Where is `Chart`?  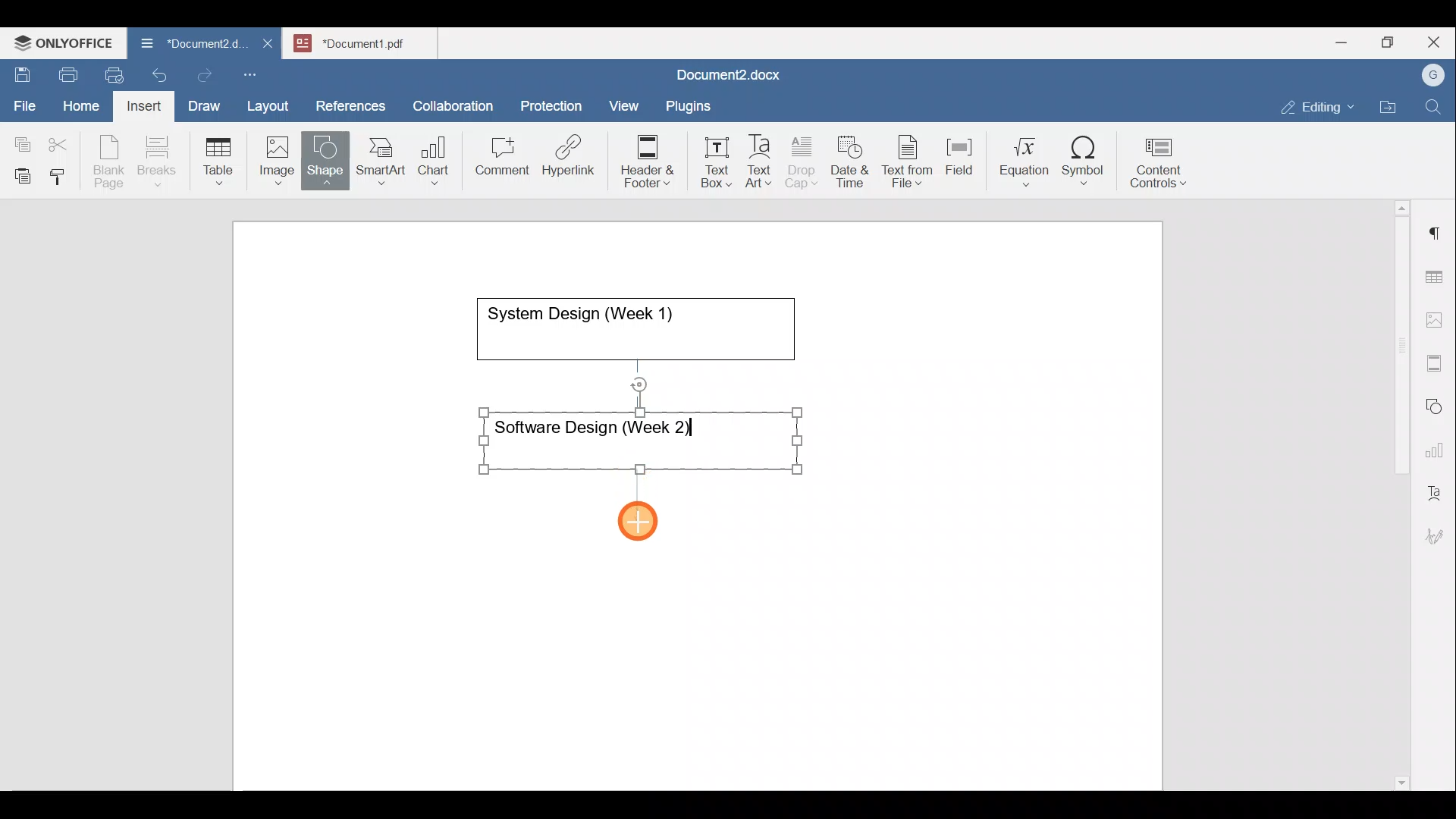 Chart is located at coordinates (431, 162).